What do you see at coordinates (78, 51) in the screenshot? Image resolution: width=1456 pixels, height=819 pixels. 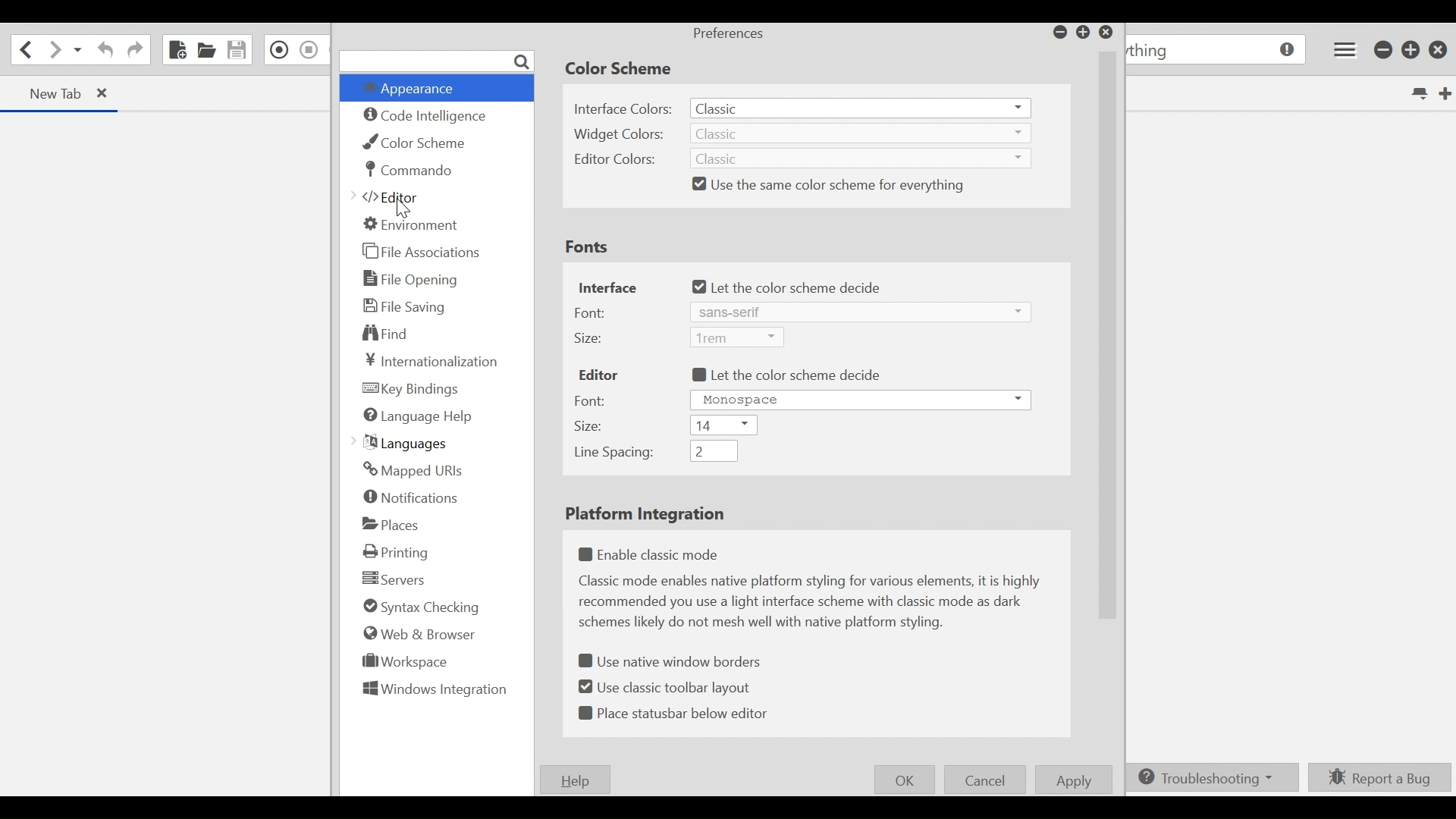 I see `Recent location` at bounding box center [78, 51].